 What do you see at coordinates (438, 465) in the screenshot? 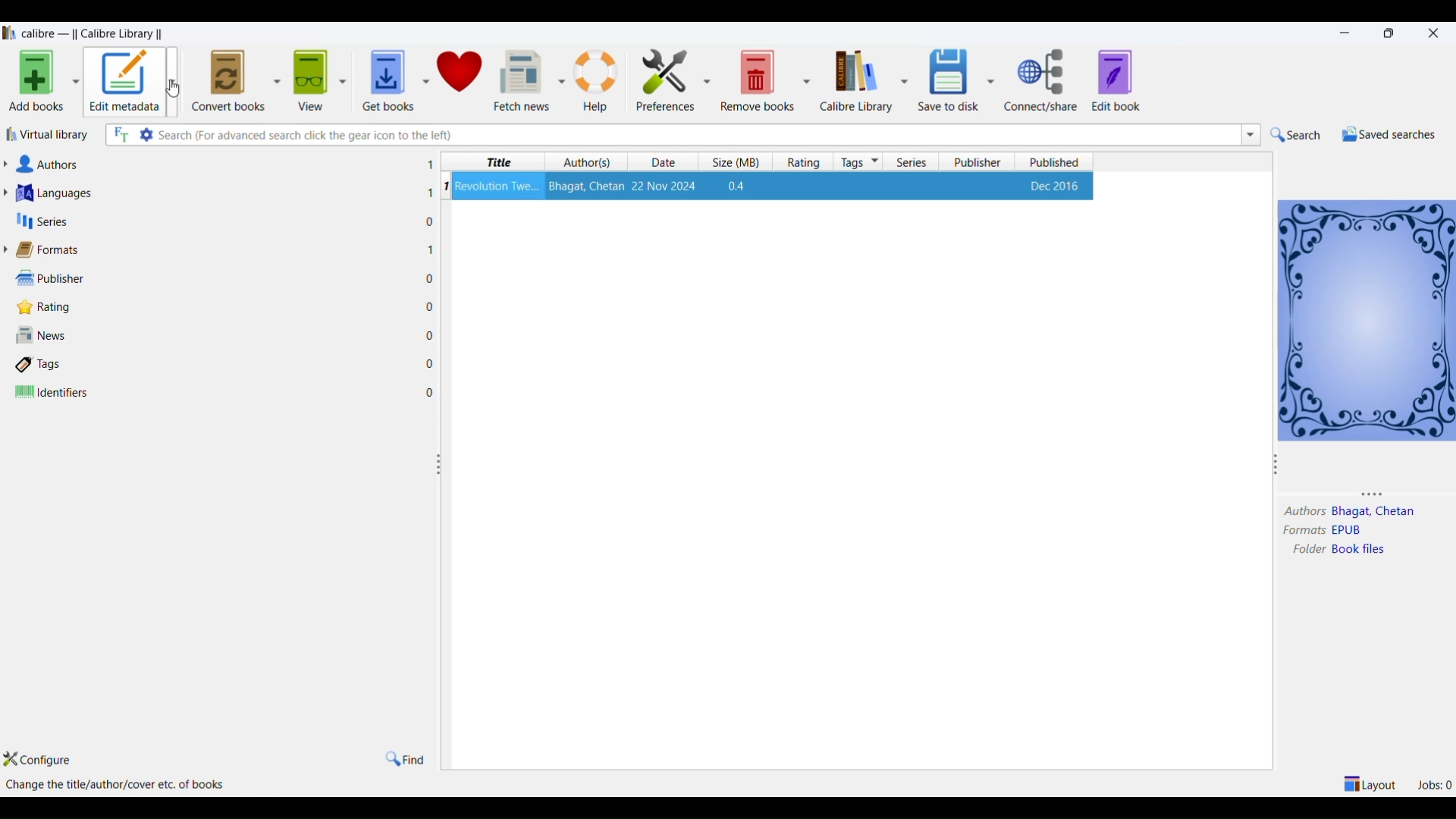
I see `resize` at bounding box center [438, 465].